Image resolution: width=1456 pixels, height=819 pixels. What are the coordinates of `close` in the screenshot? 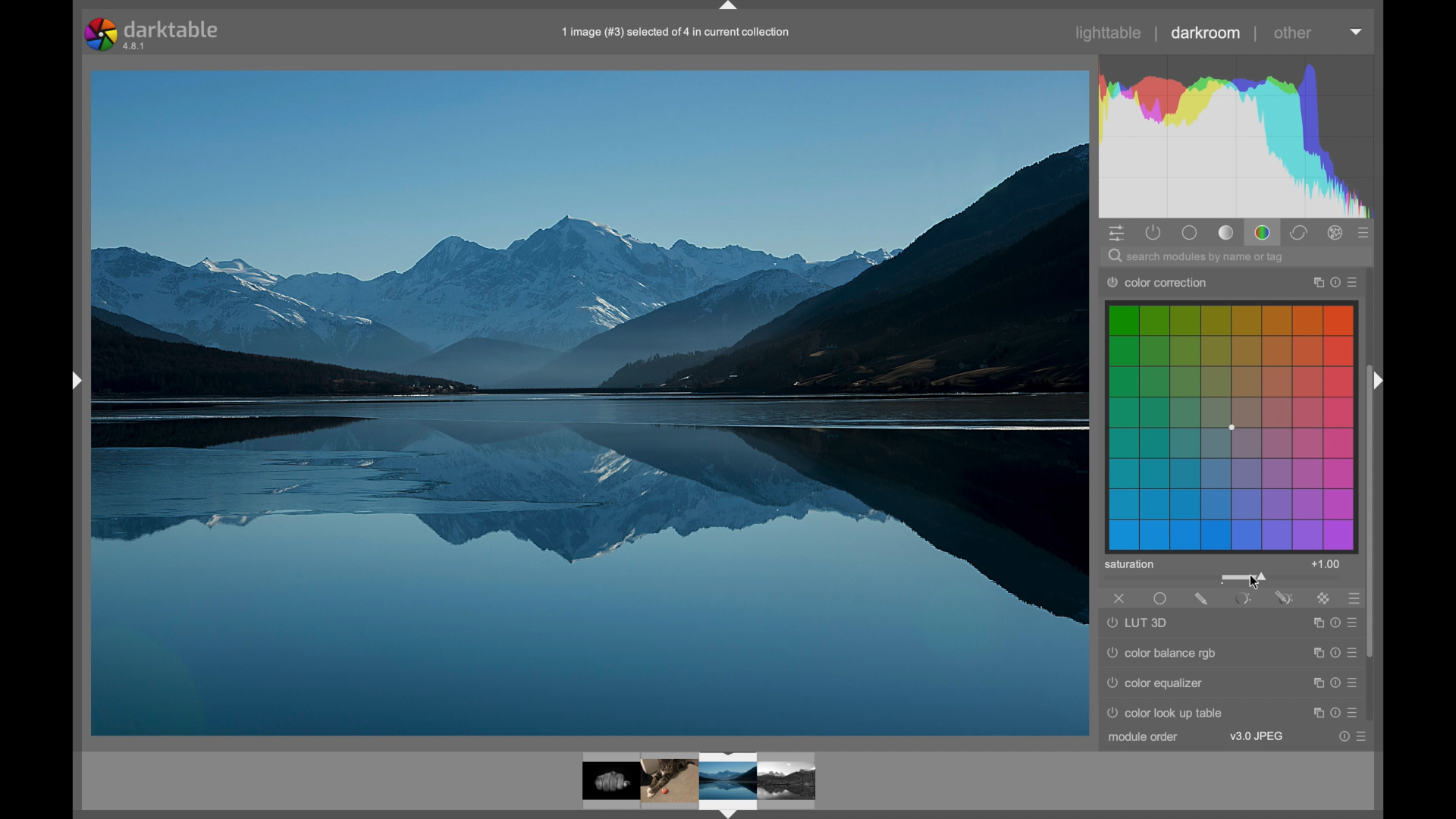 It's located at (1119, 598).